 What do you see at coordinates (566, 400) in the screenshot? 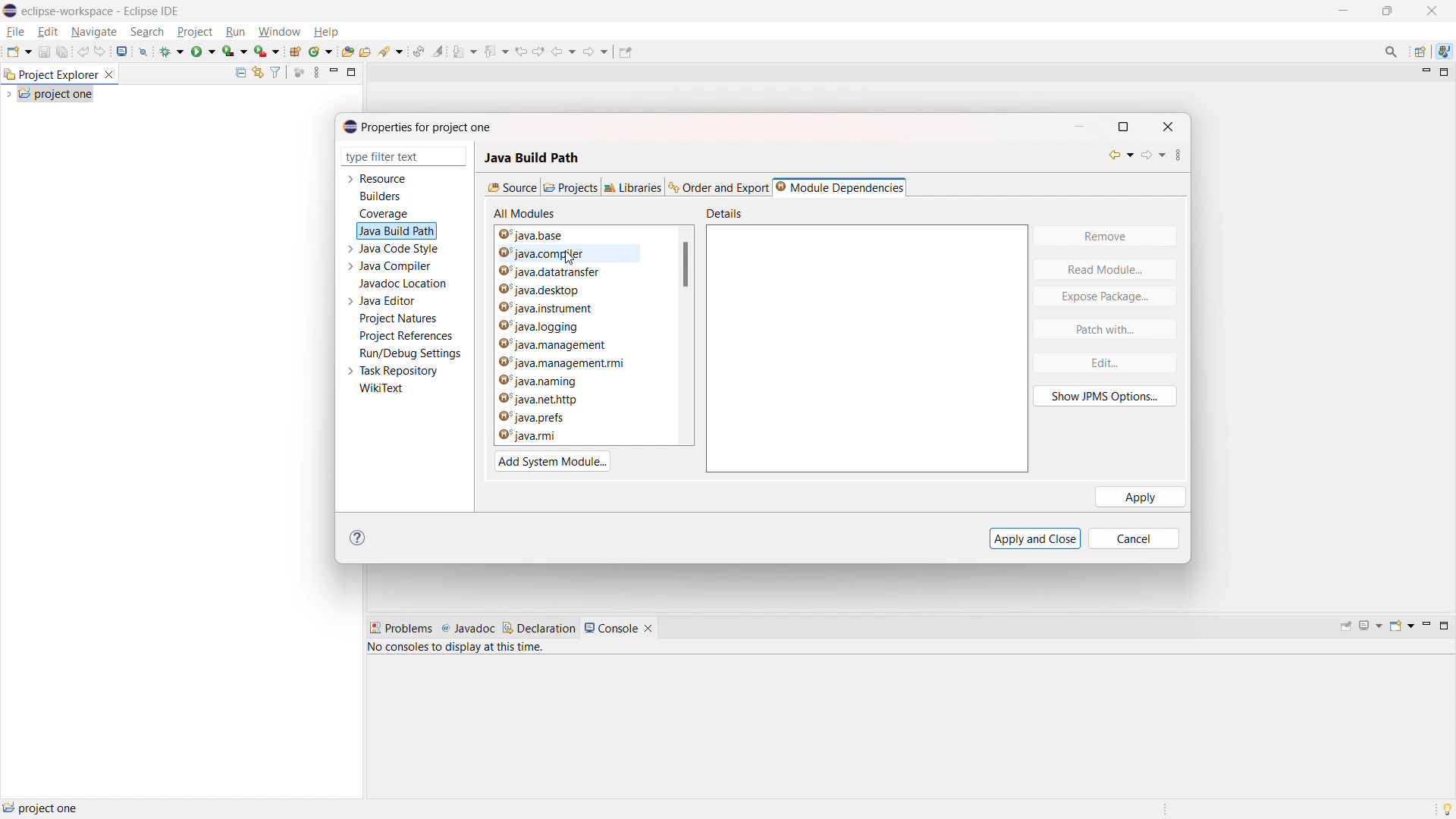
I see `java.net.http` at bounding box center [566, 400].